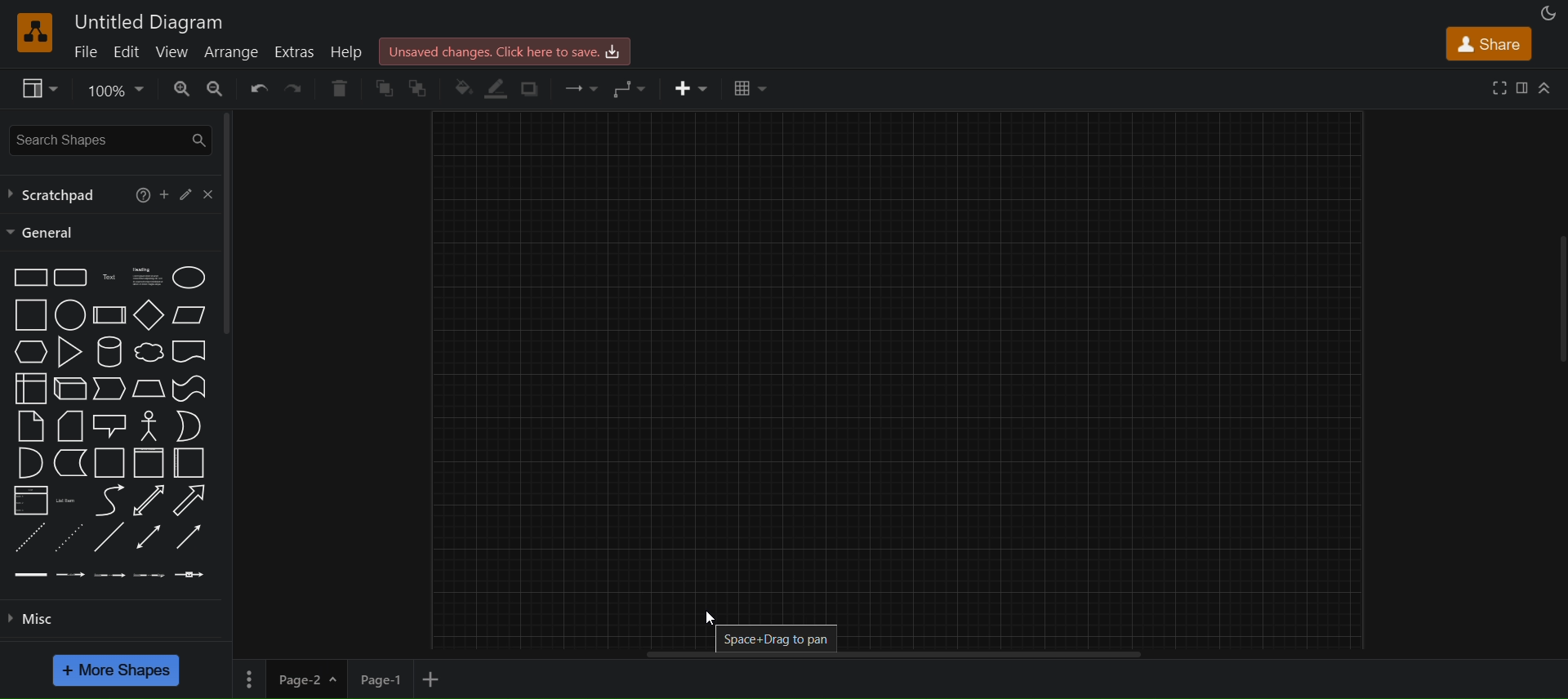 This screenshot has width=1568, height=699. I want to click on redo, so click(292, 88).